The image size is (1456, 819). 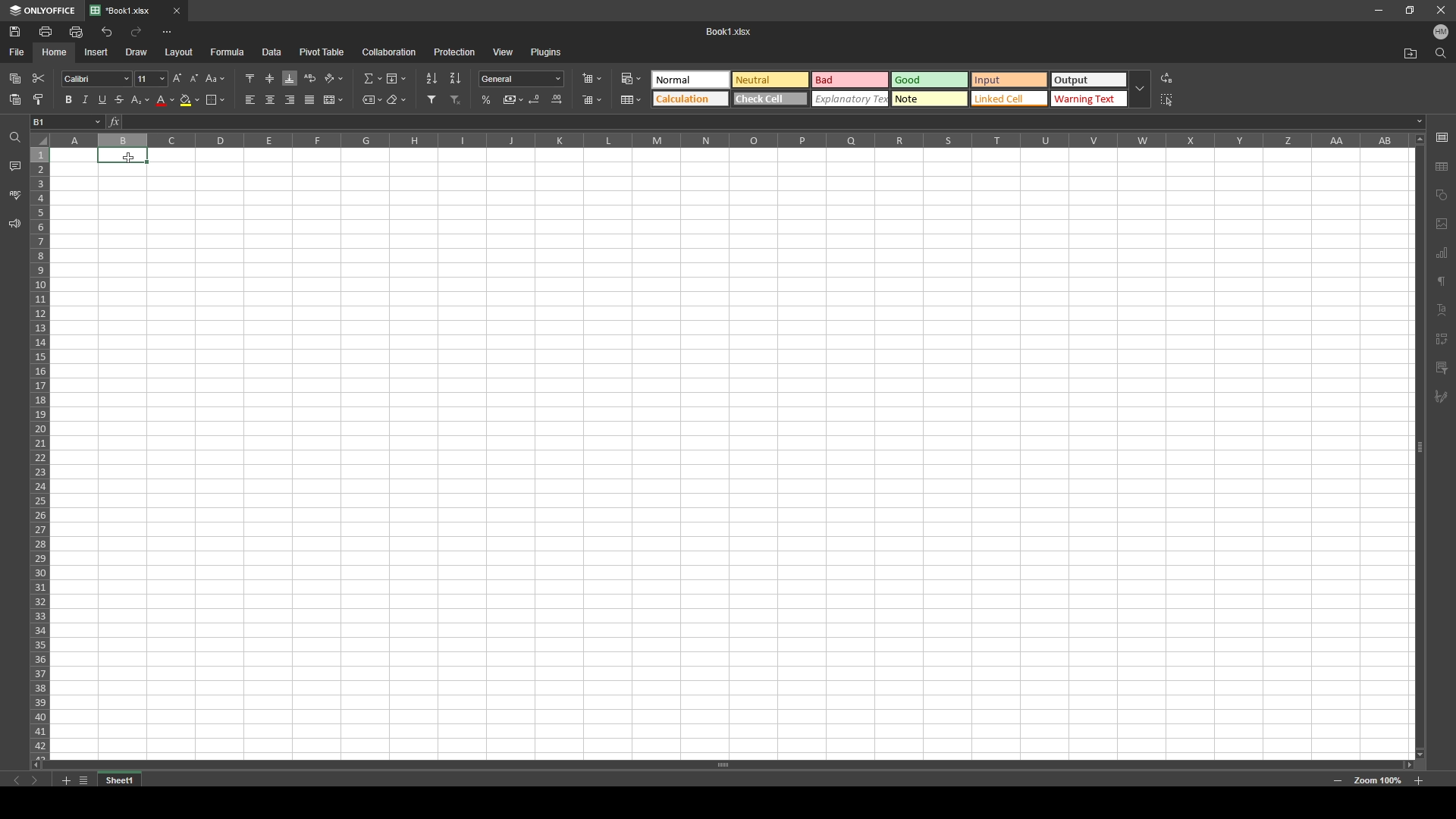 I want to click on tab, so click(x=126, y=779).